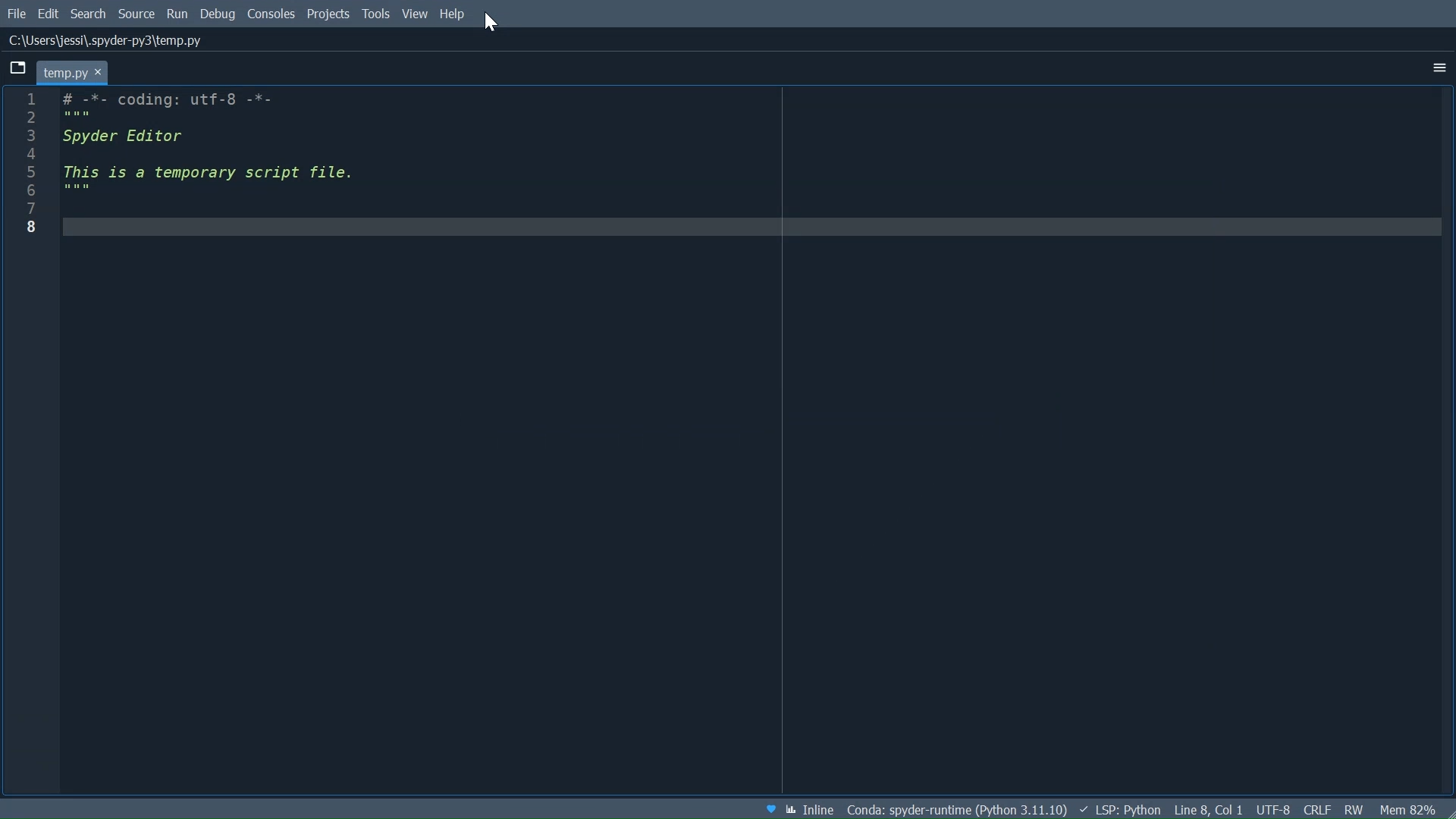 The image size is (1456, 819). Describe the element at coordinates (1408, 810) in the screenshot. I see `Memory Usage` at that location.